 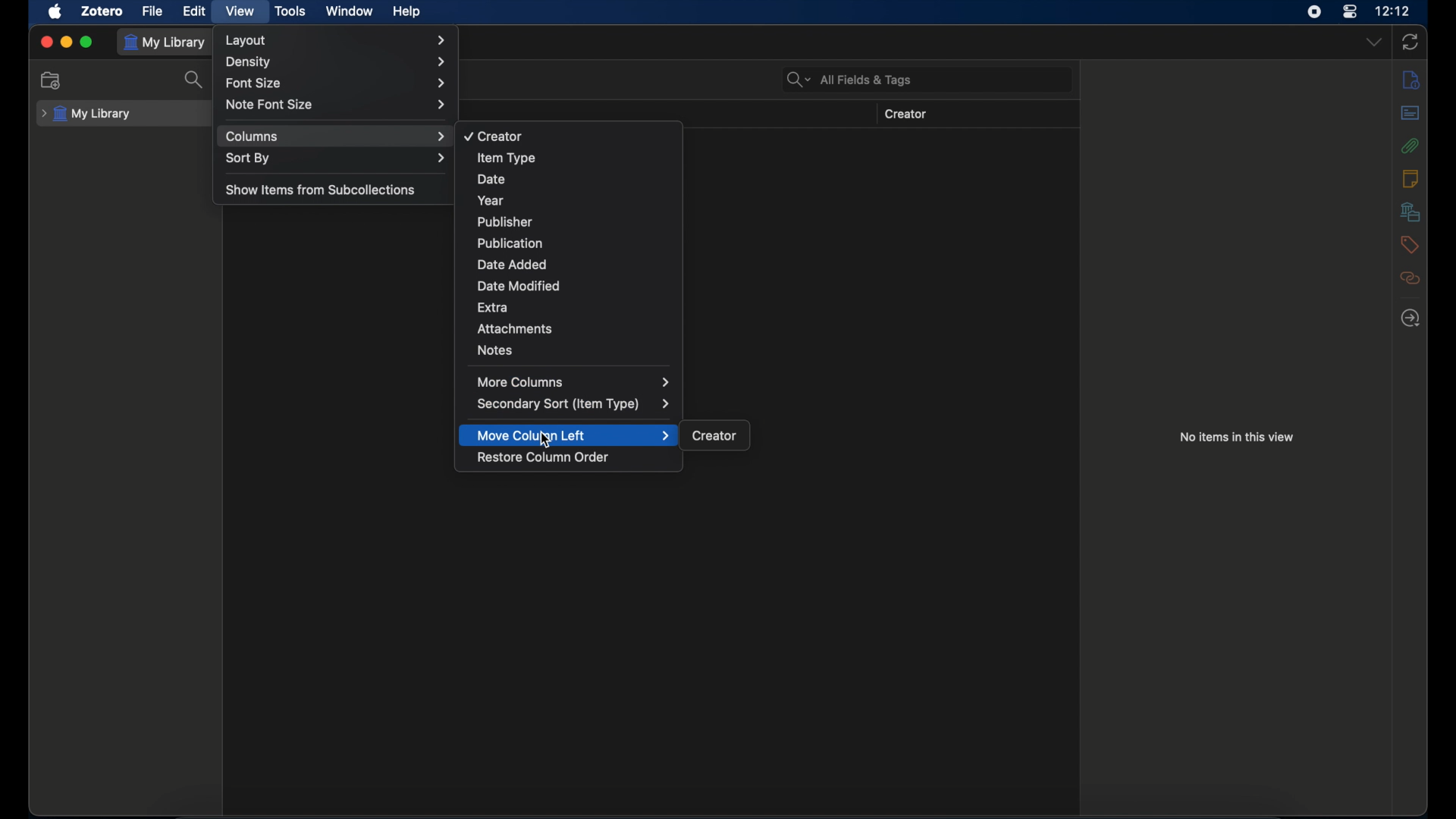 What do you see at coordinates (1411, 81) in the screenshot?
I see `info` at bounding box center [1411, 81].